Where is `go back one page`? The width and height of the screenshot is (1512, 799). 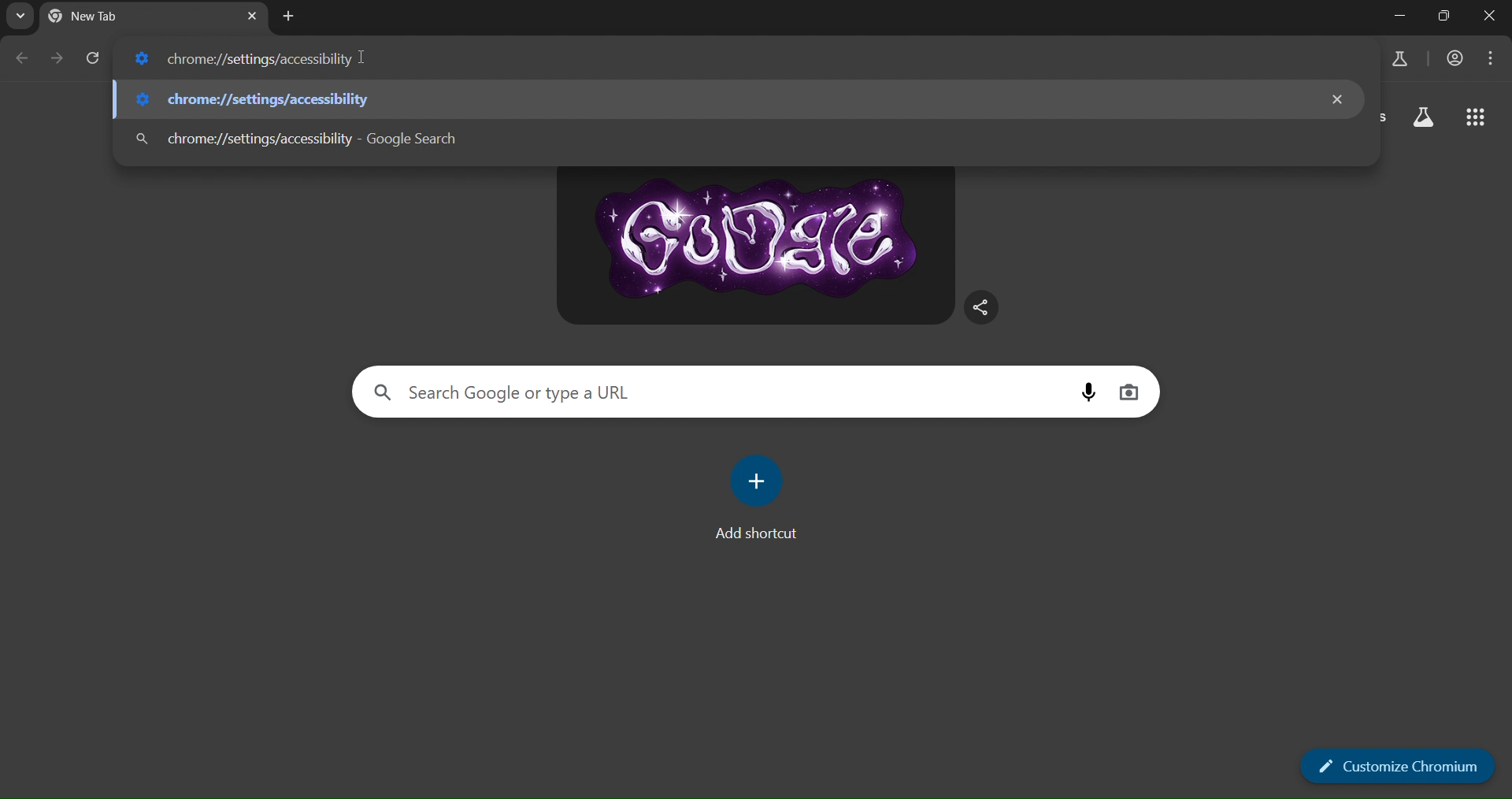 go back one page is located at coordinates (23, 59).